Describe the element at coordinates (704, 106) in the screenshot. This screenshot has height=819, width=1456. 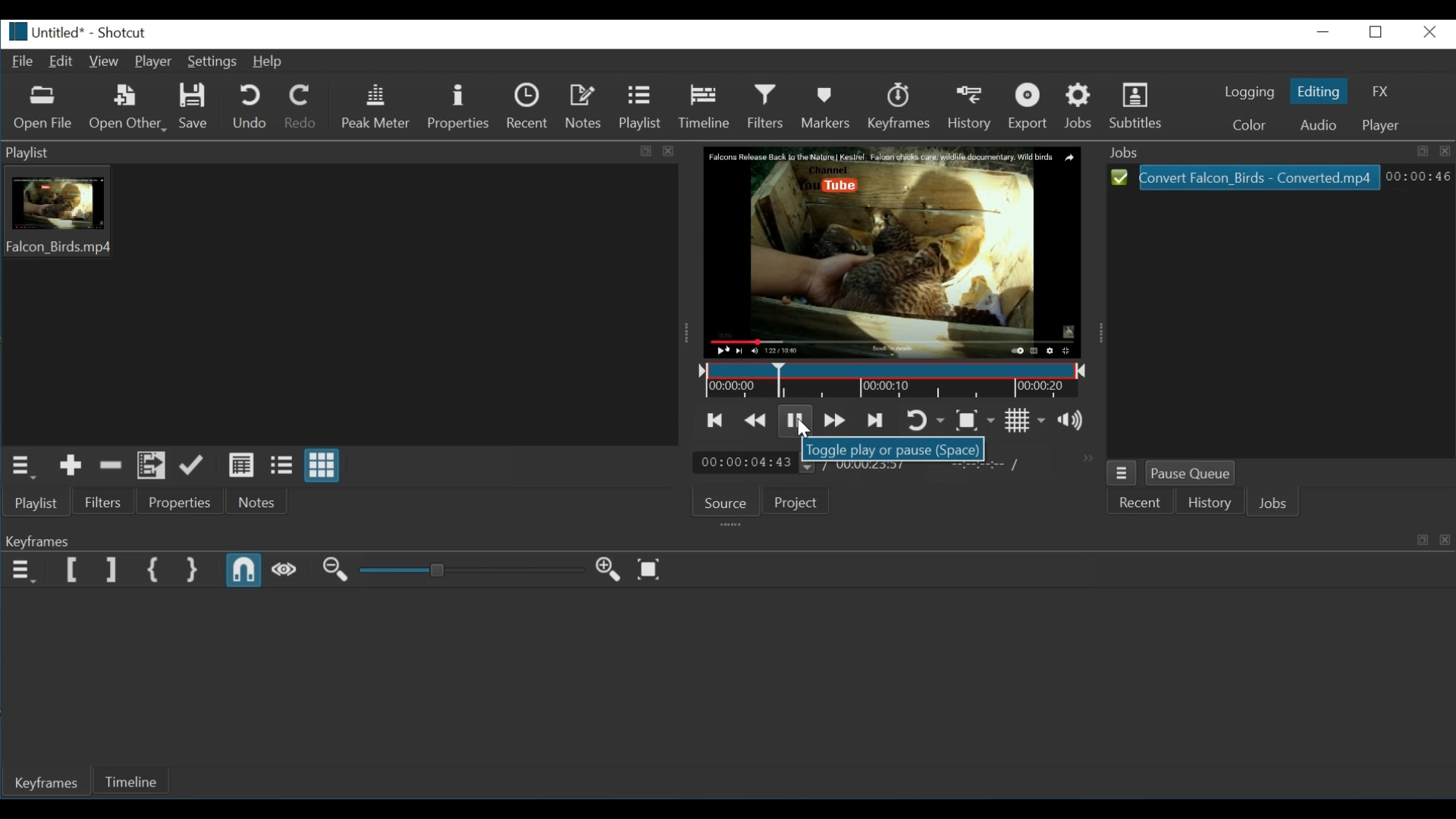
I see `Timeline` at that location.